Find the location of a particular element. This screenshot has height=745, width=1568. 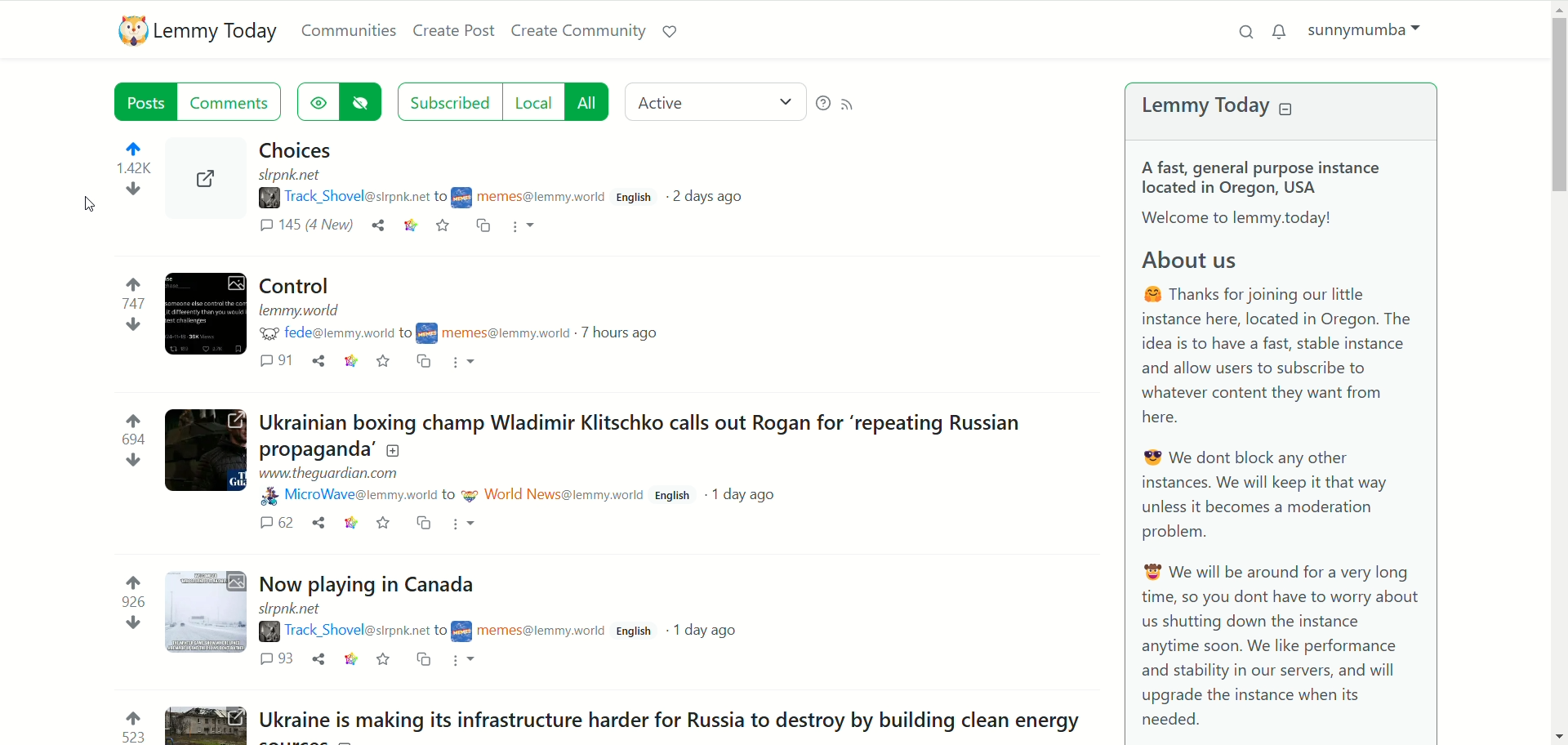

upvote is located at coordinates (134, 419).